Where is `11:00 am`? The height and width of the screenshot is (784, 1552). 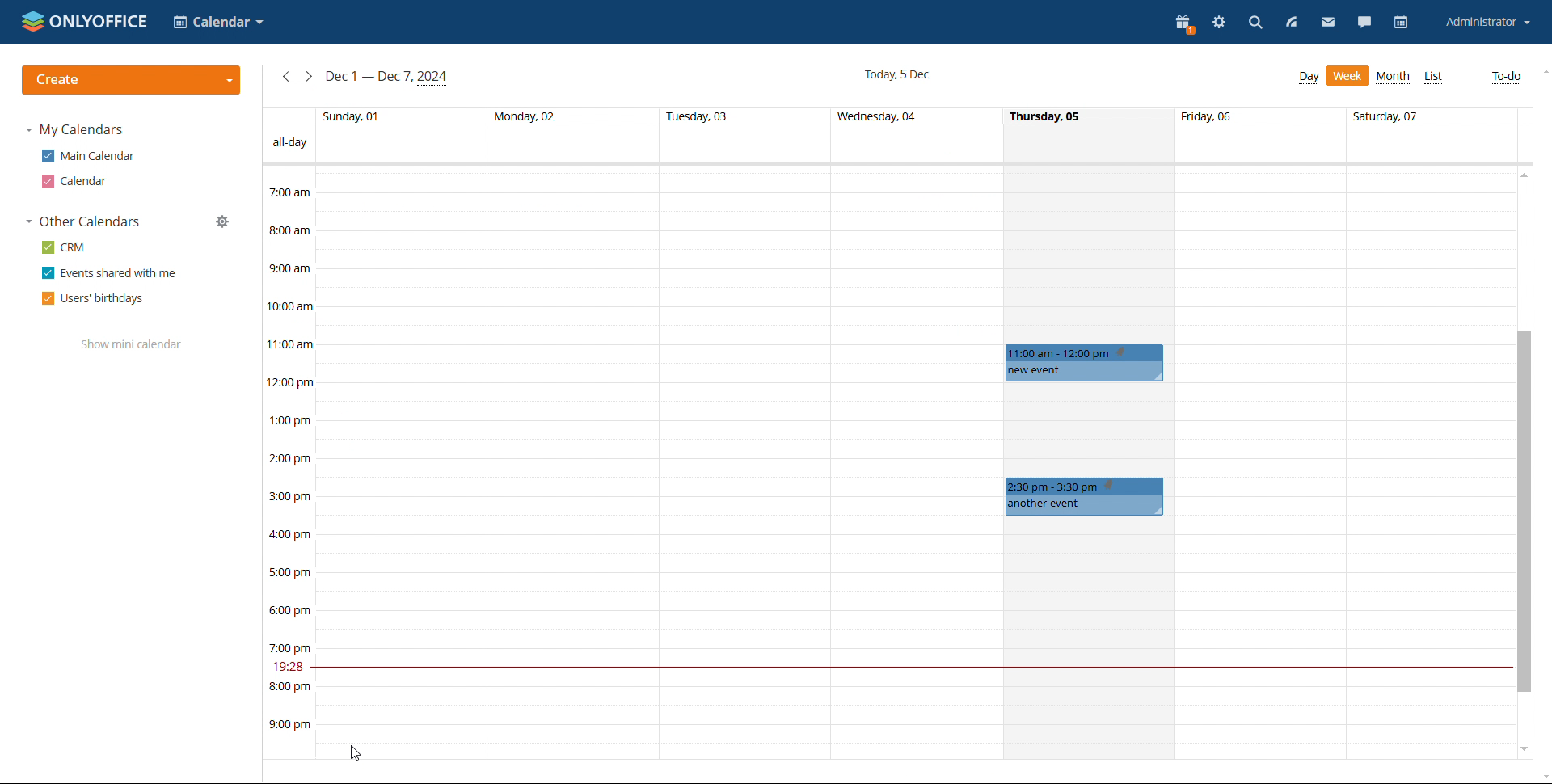
11:00 am is located at coordinates (290, 345).